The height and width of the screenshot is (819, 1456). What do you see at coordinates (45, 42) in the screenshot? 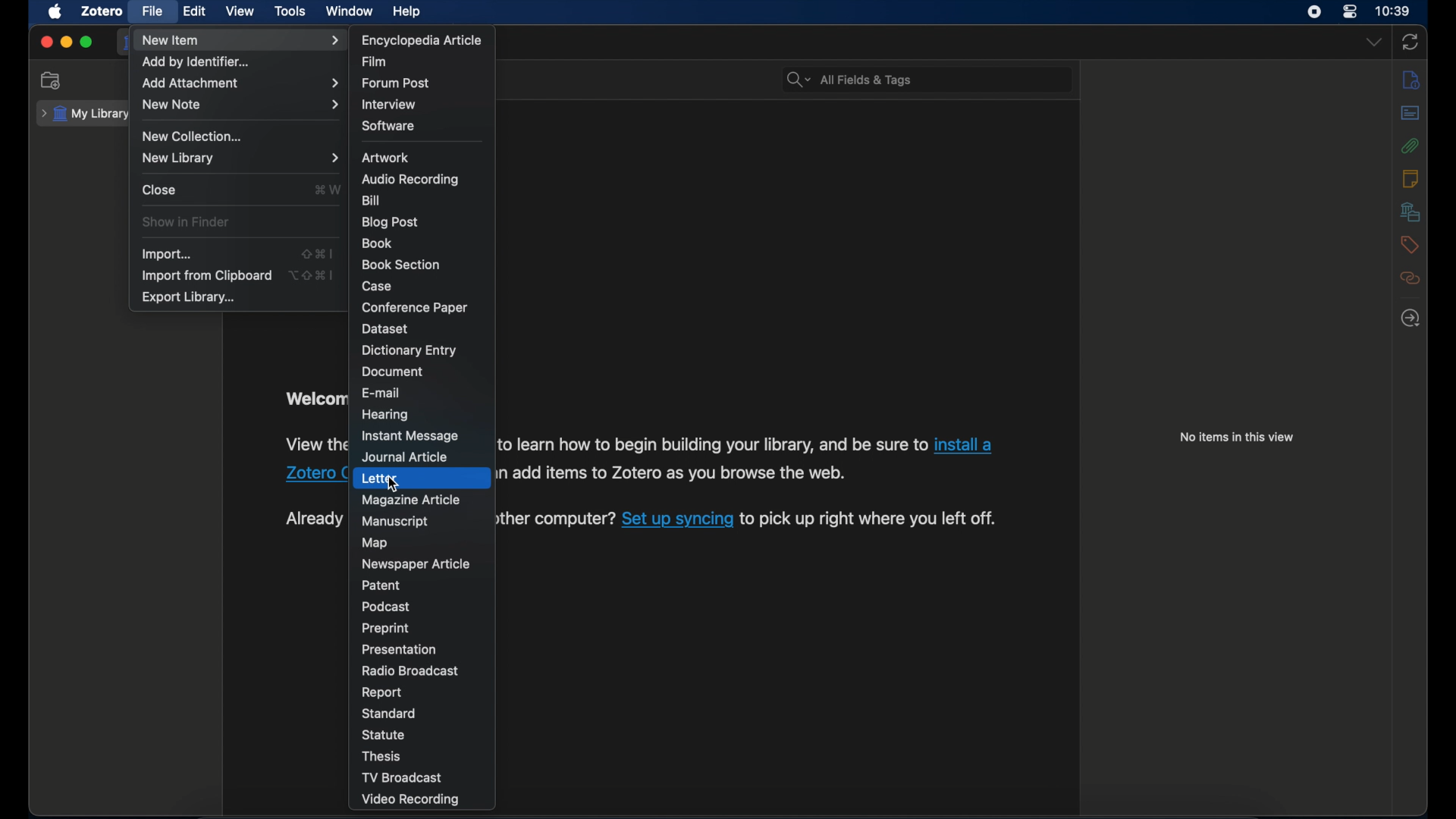
I see `close` at bounding box center [45, 42].